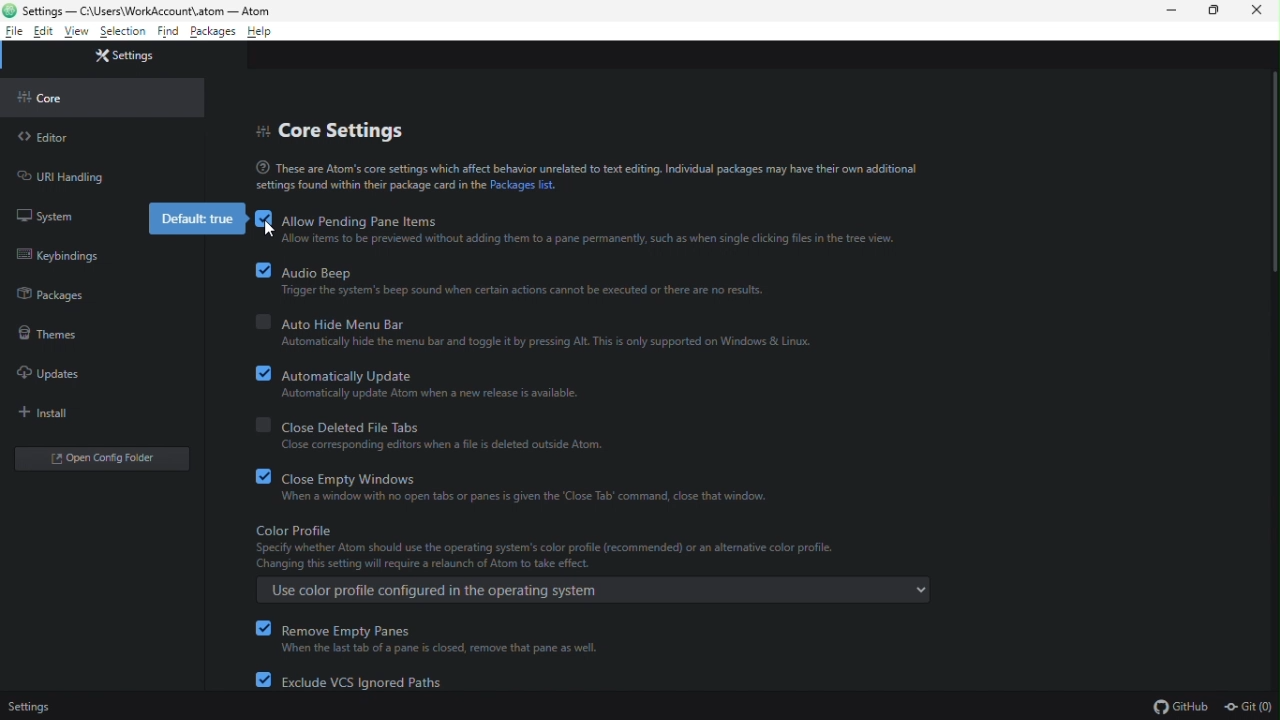  What do you see at coordinates (169, 34) in the screenshot?
I see `find ` at bounding box center [169, 34].